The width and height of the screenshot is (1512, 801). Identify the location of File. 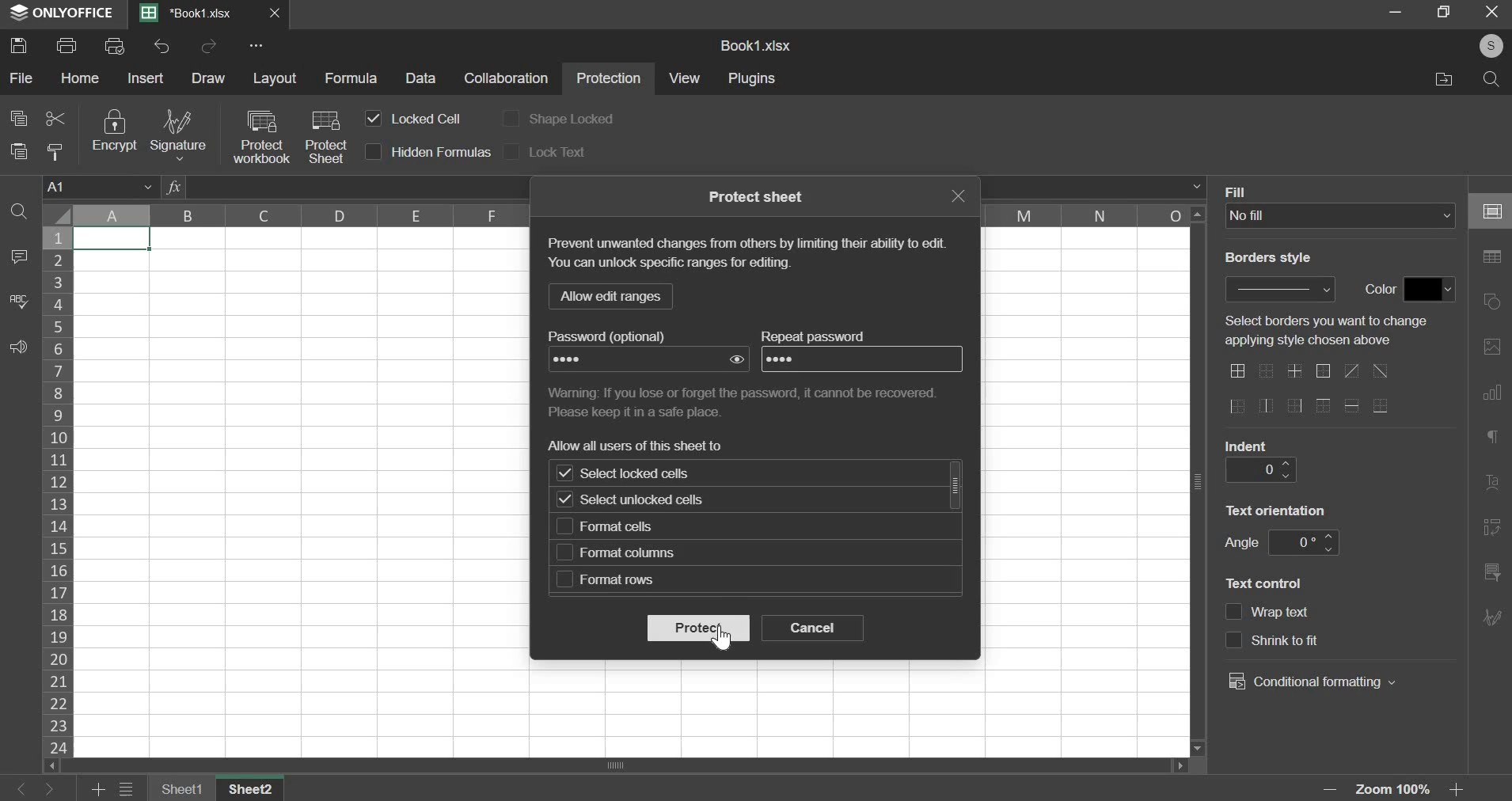
(1440, 79).